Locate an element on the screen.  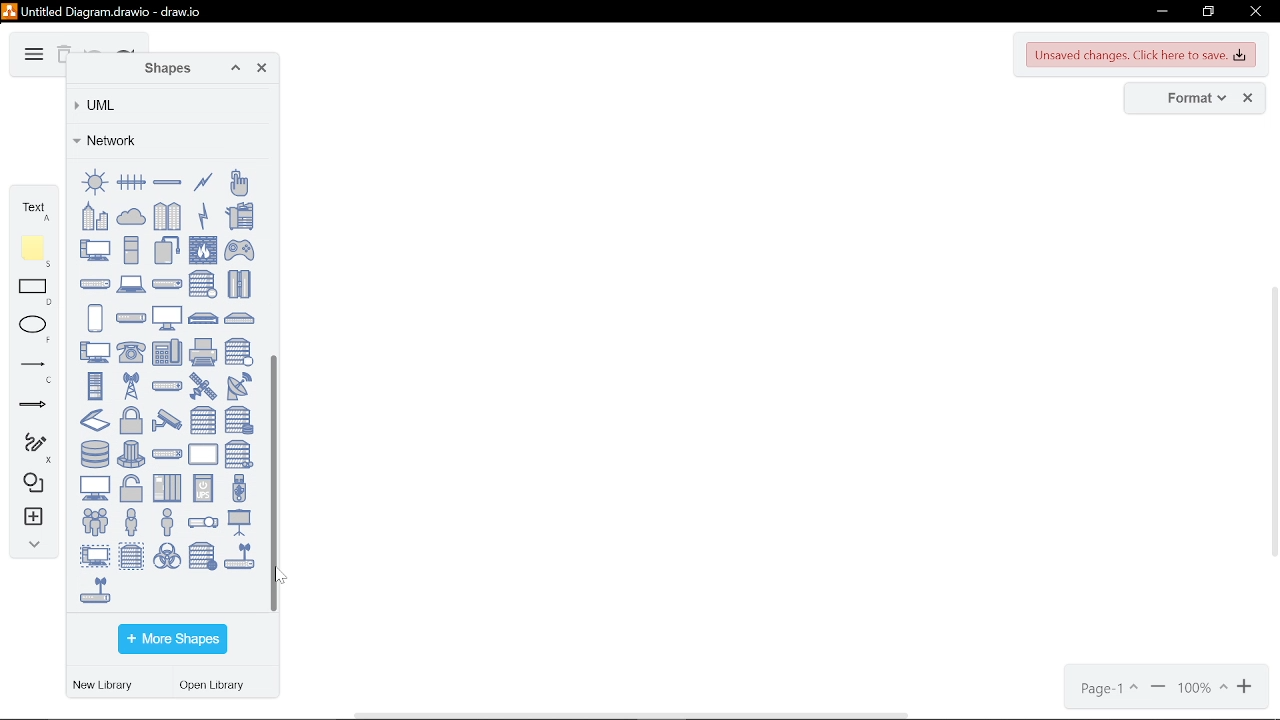
wireless hub is located at coordinates (239, 556).